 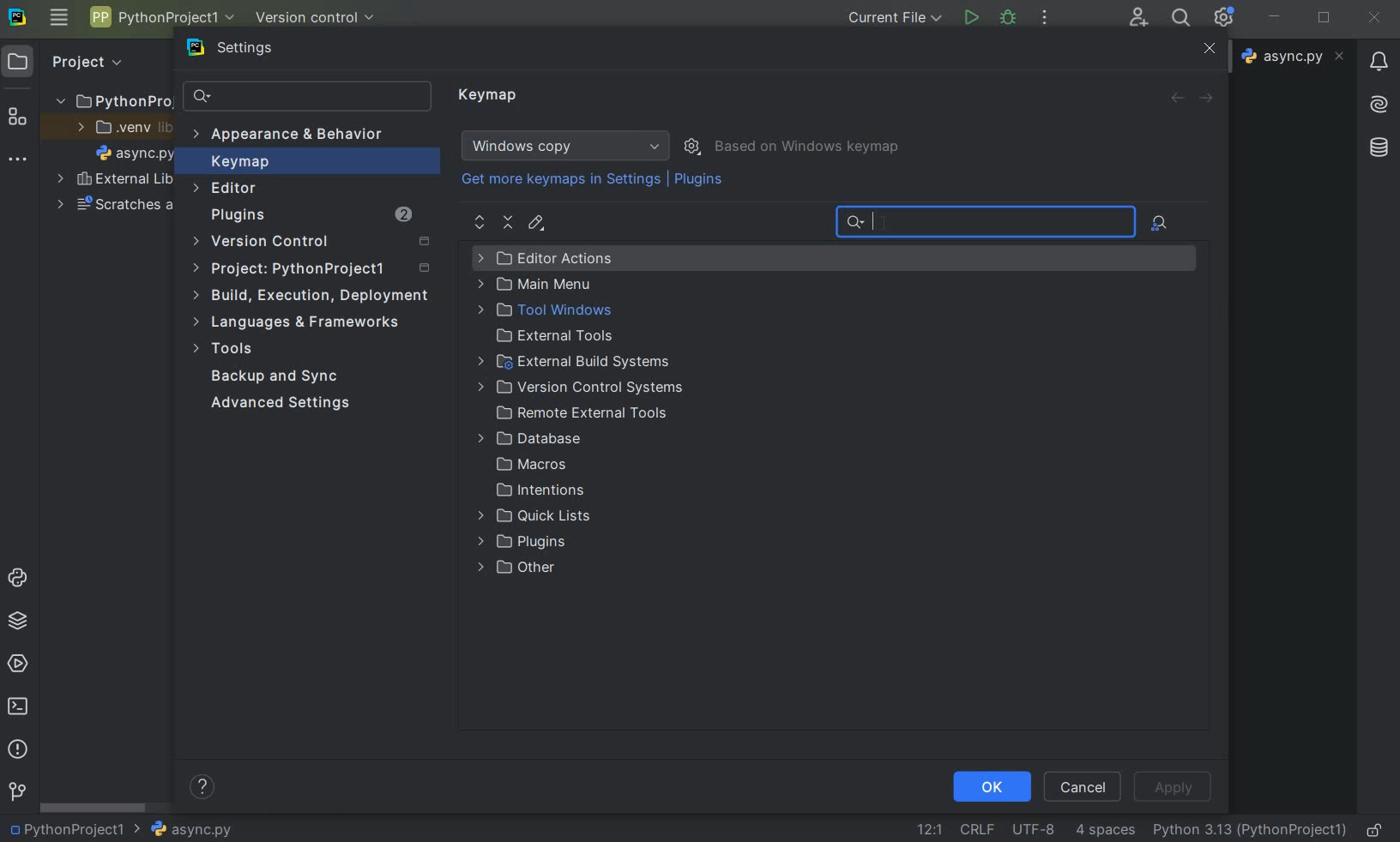 I want to click on file actions by shortcuts, so click(x=1161, y=223).